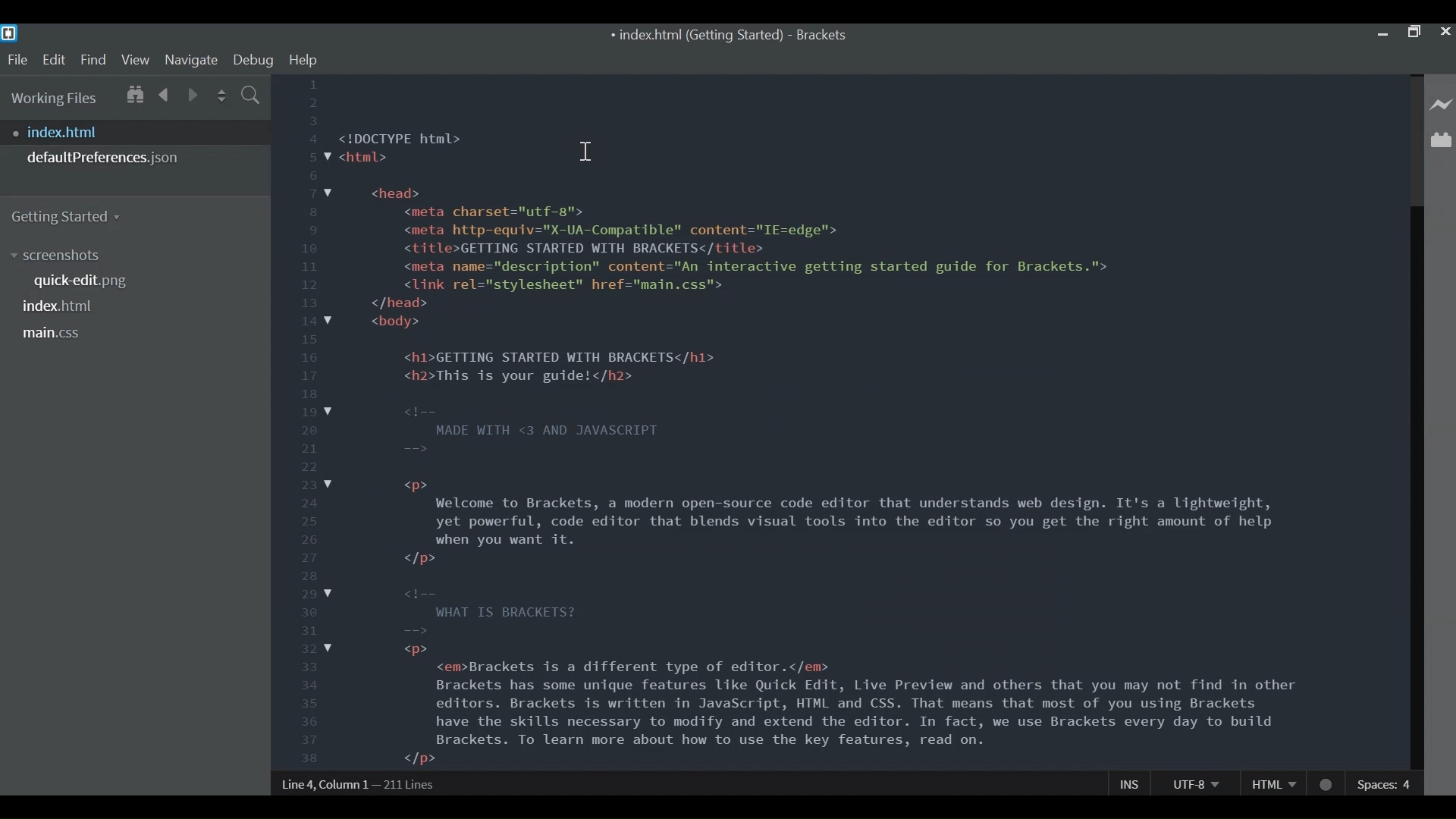  Describe the element at coordinates (1273, 783) in the screenshot. I see `HTML` at that location.